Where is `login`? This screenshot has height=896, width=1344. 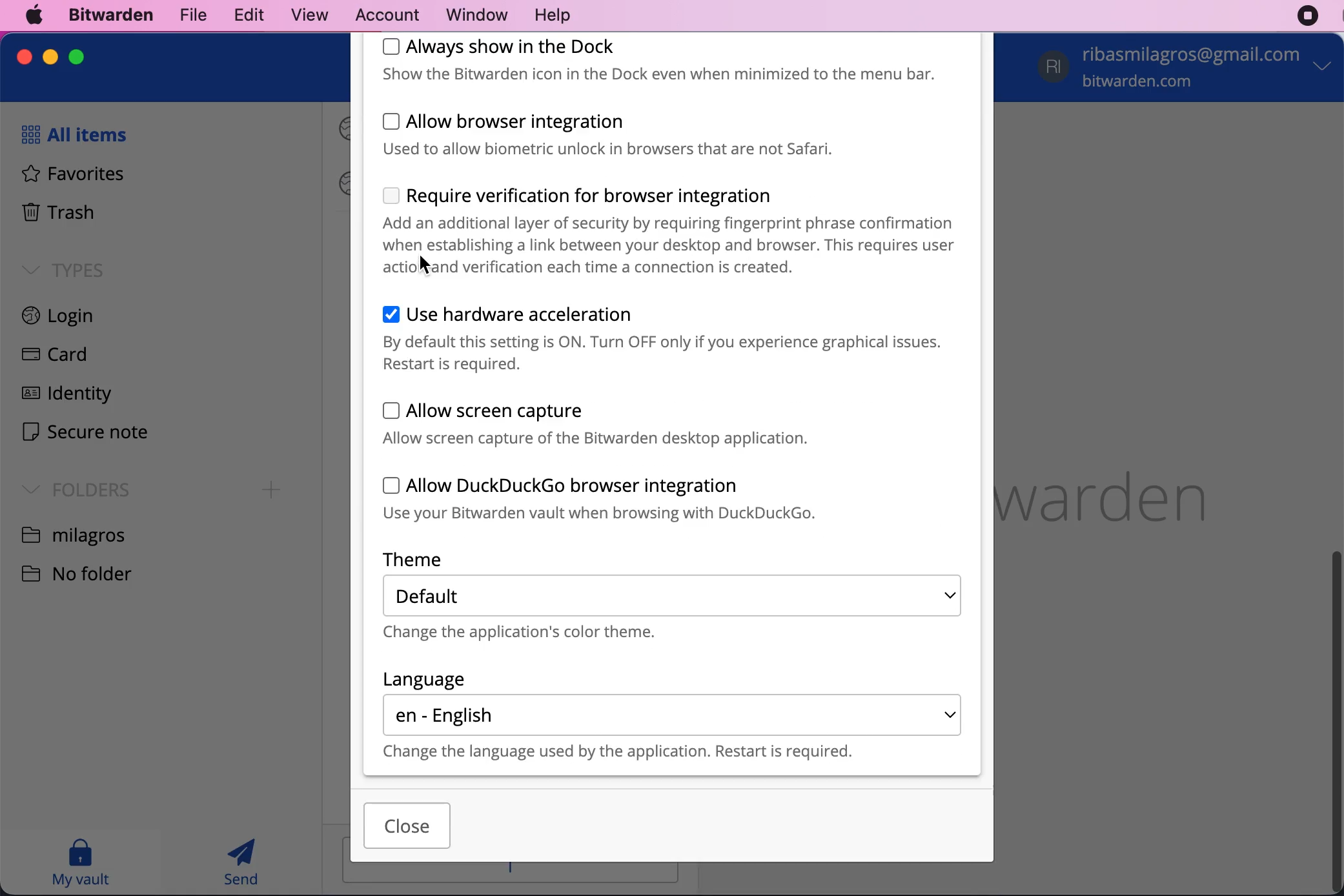
login is located at coordinates (74, 318).